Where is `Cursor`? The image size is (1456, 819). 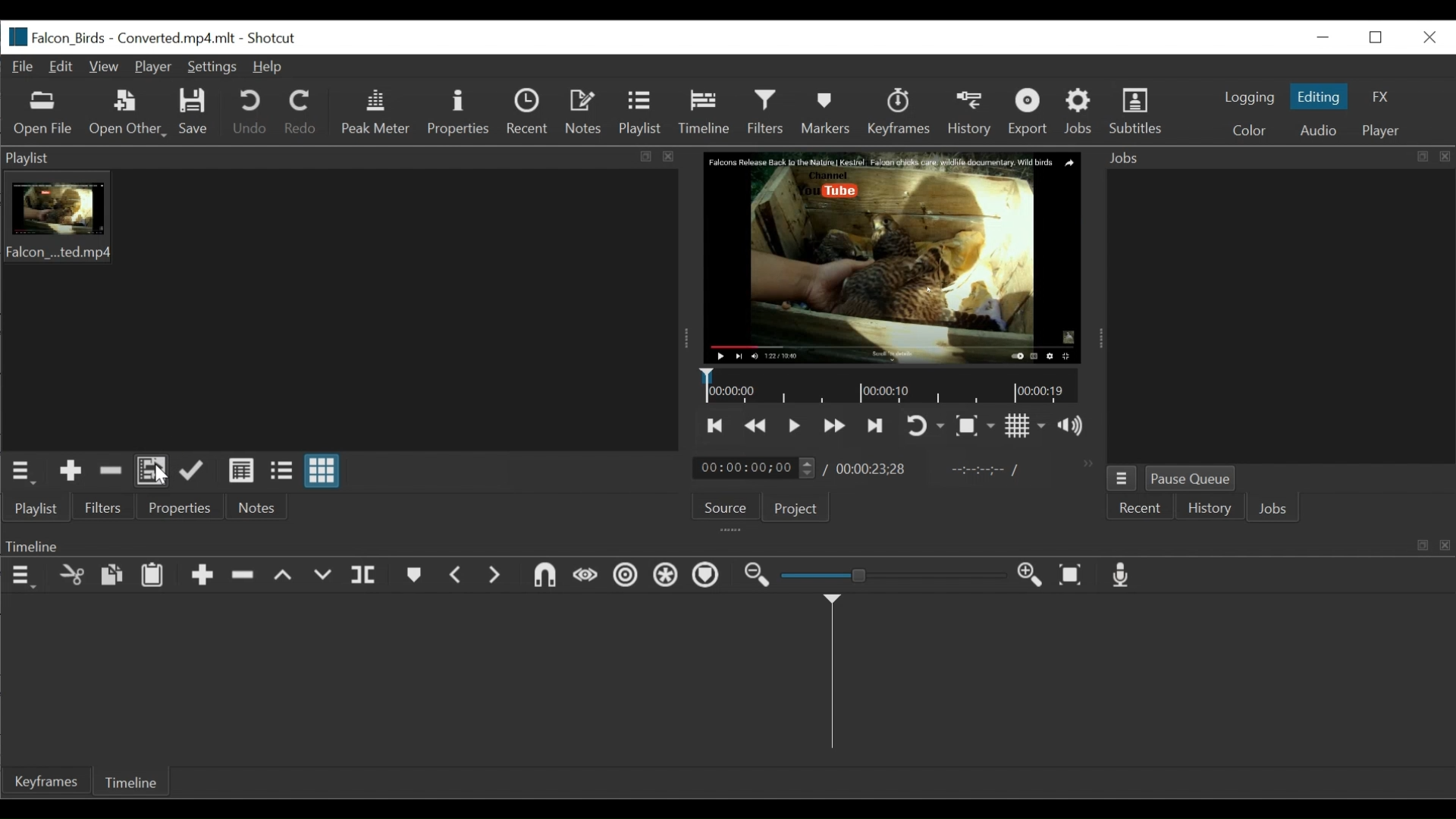
Cursor is located at coordinates (160, 474).